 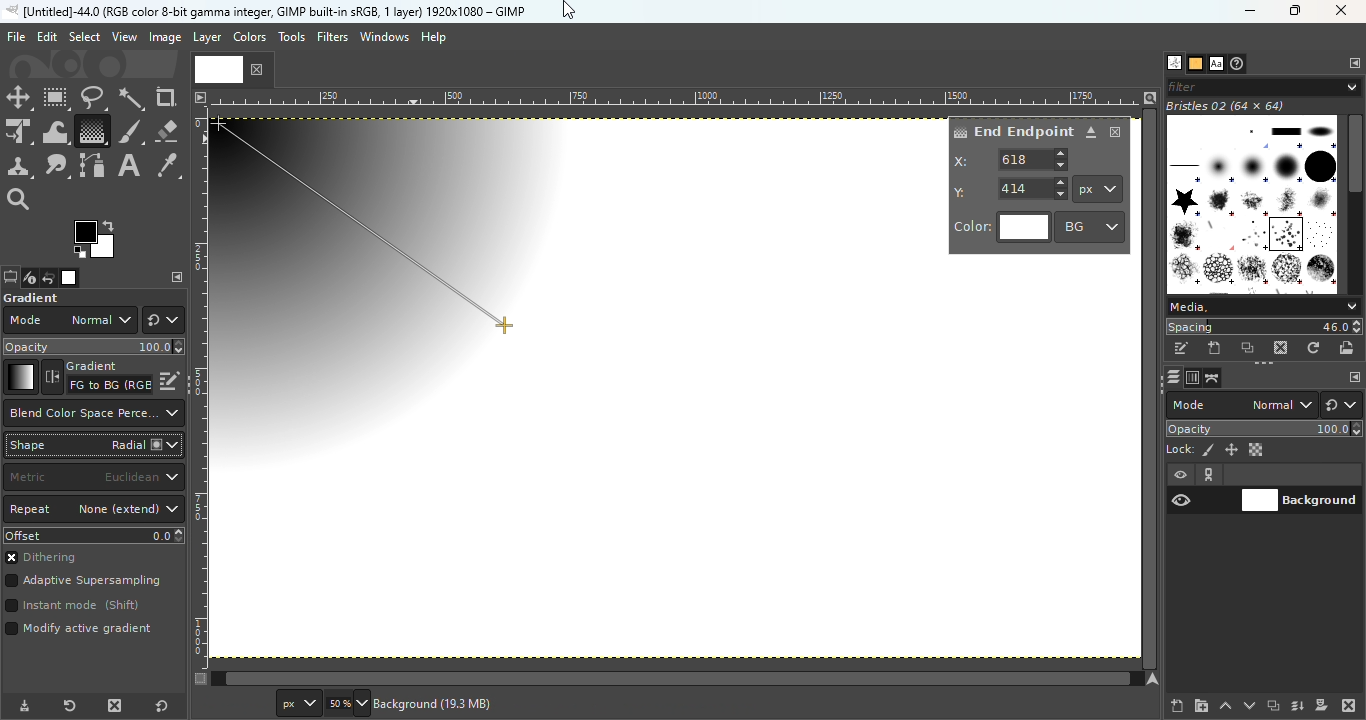 I want to click on End Endpoint, so click(x=1012, y=130).